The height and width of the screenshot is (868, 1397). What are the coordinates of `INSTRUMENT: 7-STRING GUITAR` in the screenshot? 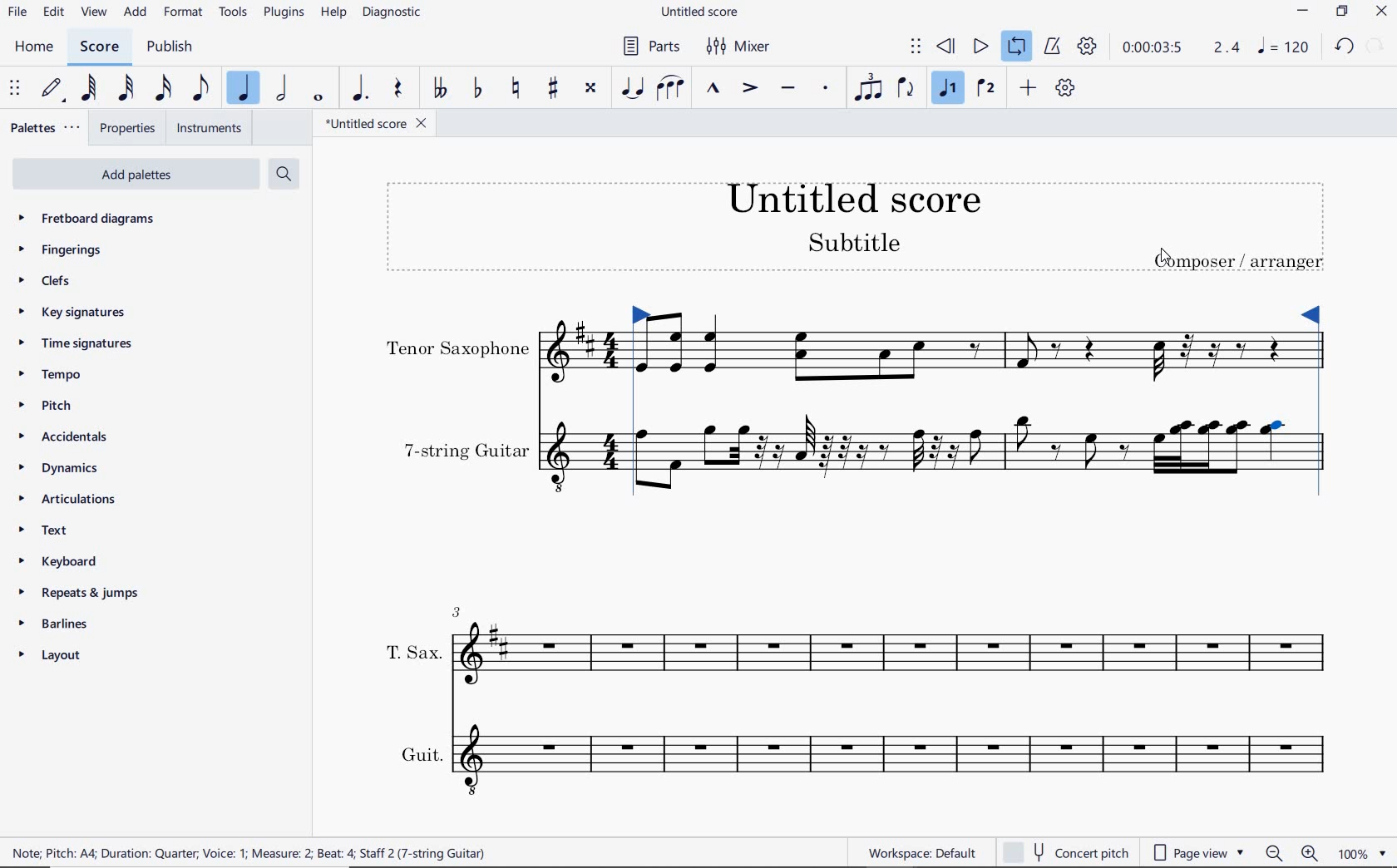 It's located at (977, 454).